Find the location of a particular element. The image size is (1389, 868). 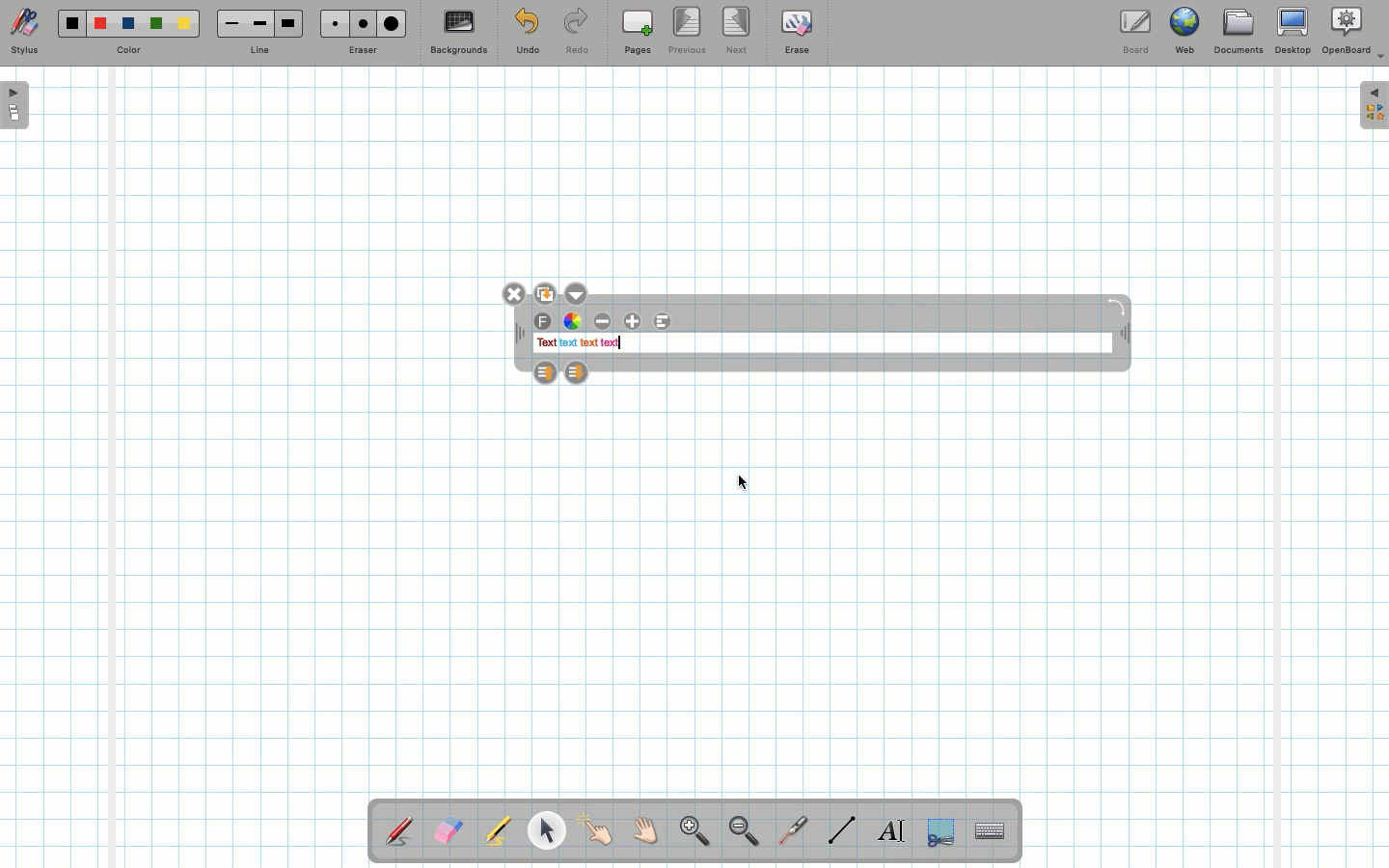

Laser pointer is located at coordinates (789, 831).